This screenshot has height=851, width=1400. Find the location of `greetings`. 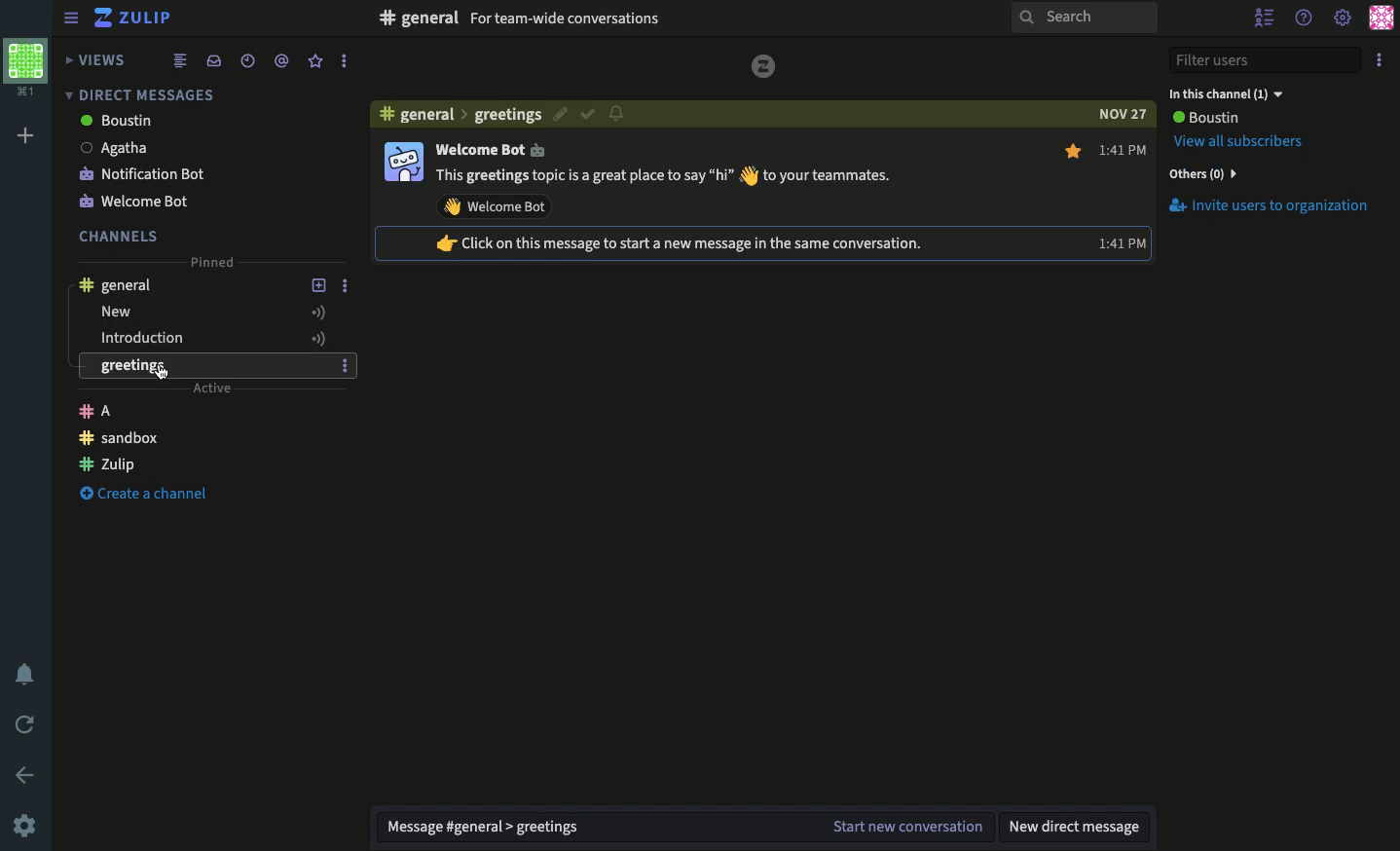

greetings is located at coordinates (201, 365).